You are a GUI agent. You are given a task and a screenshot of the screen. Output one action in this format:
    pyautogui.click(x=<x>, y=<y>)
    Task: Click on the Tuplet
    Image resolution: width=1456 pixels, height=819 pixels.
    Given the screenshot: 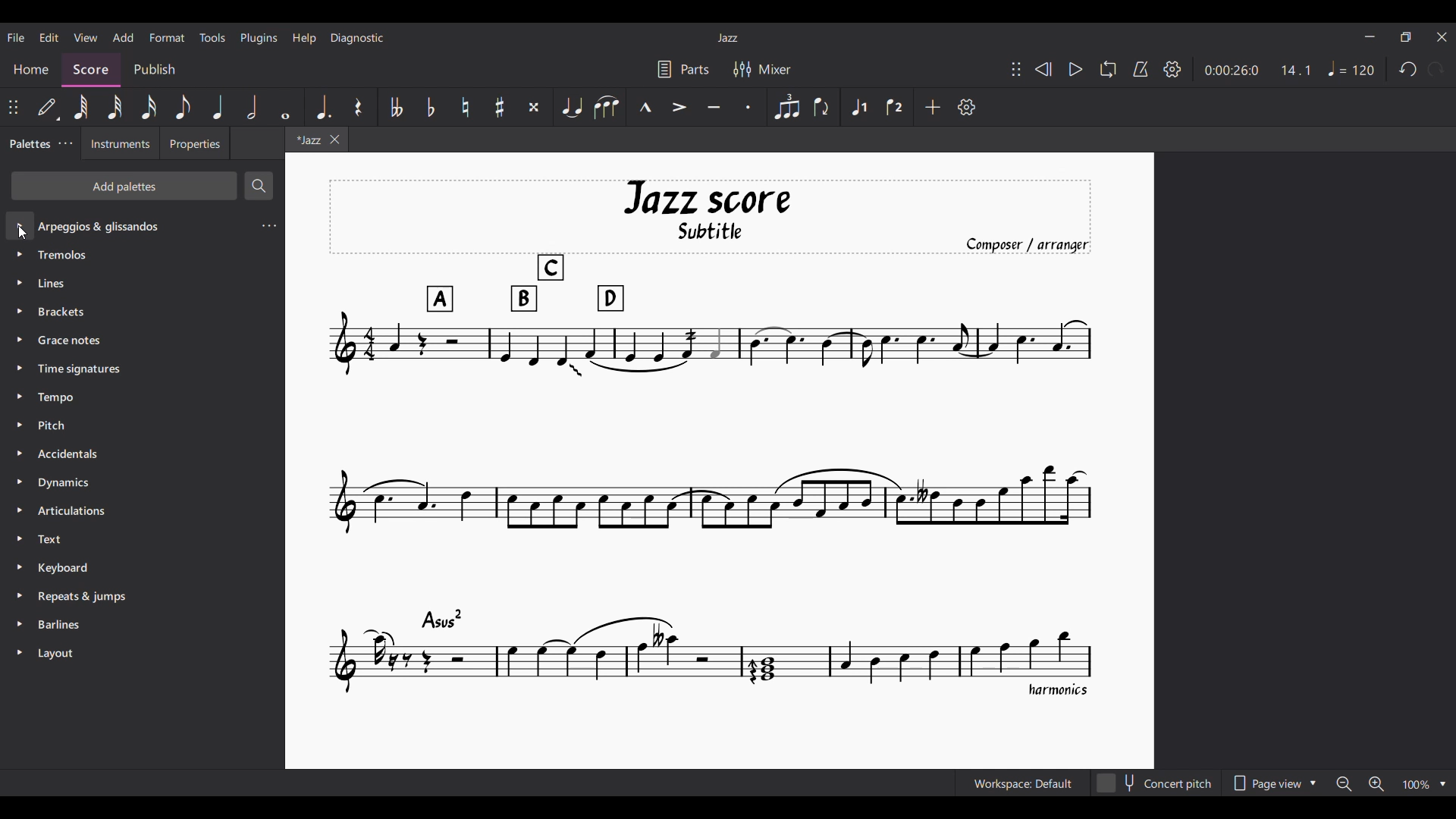 What is the action you would take?
    pyautogui.click(x=787, y=108)
    